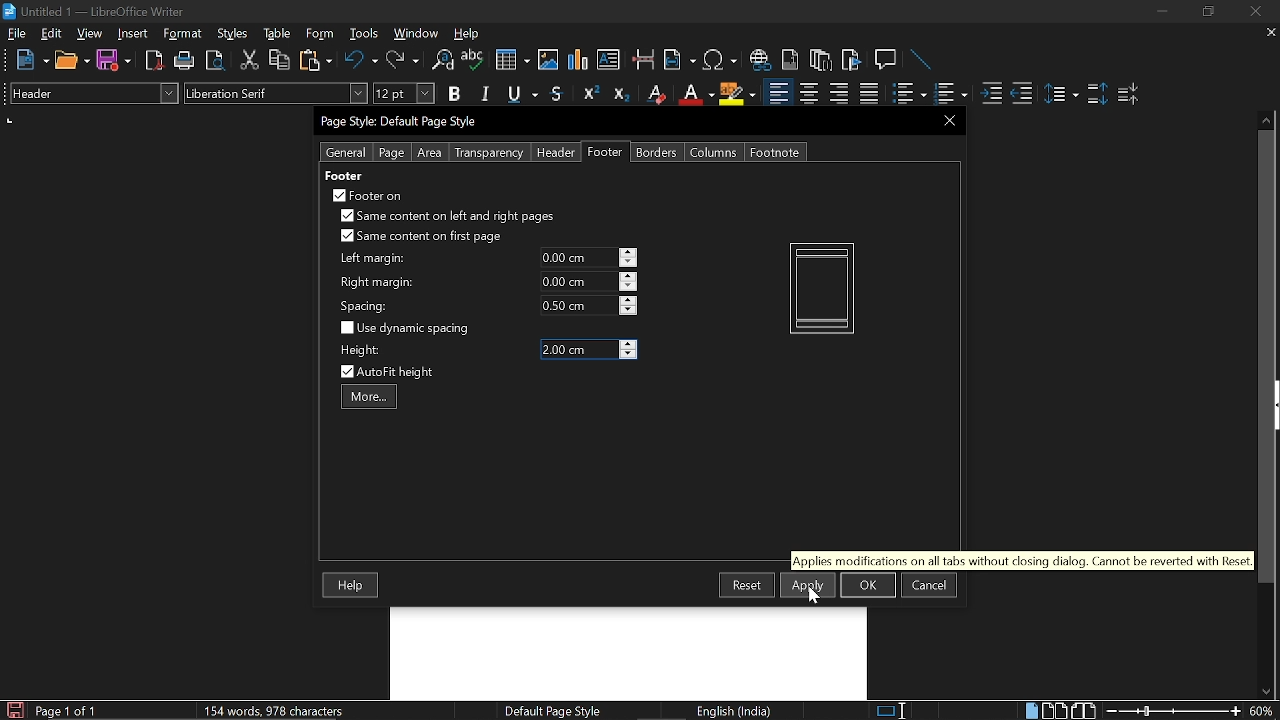  What do you see at coordinates (408, 328) in the screenshot?
I see `Use dynamic spacing` at bounding box center [408, 328].